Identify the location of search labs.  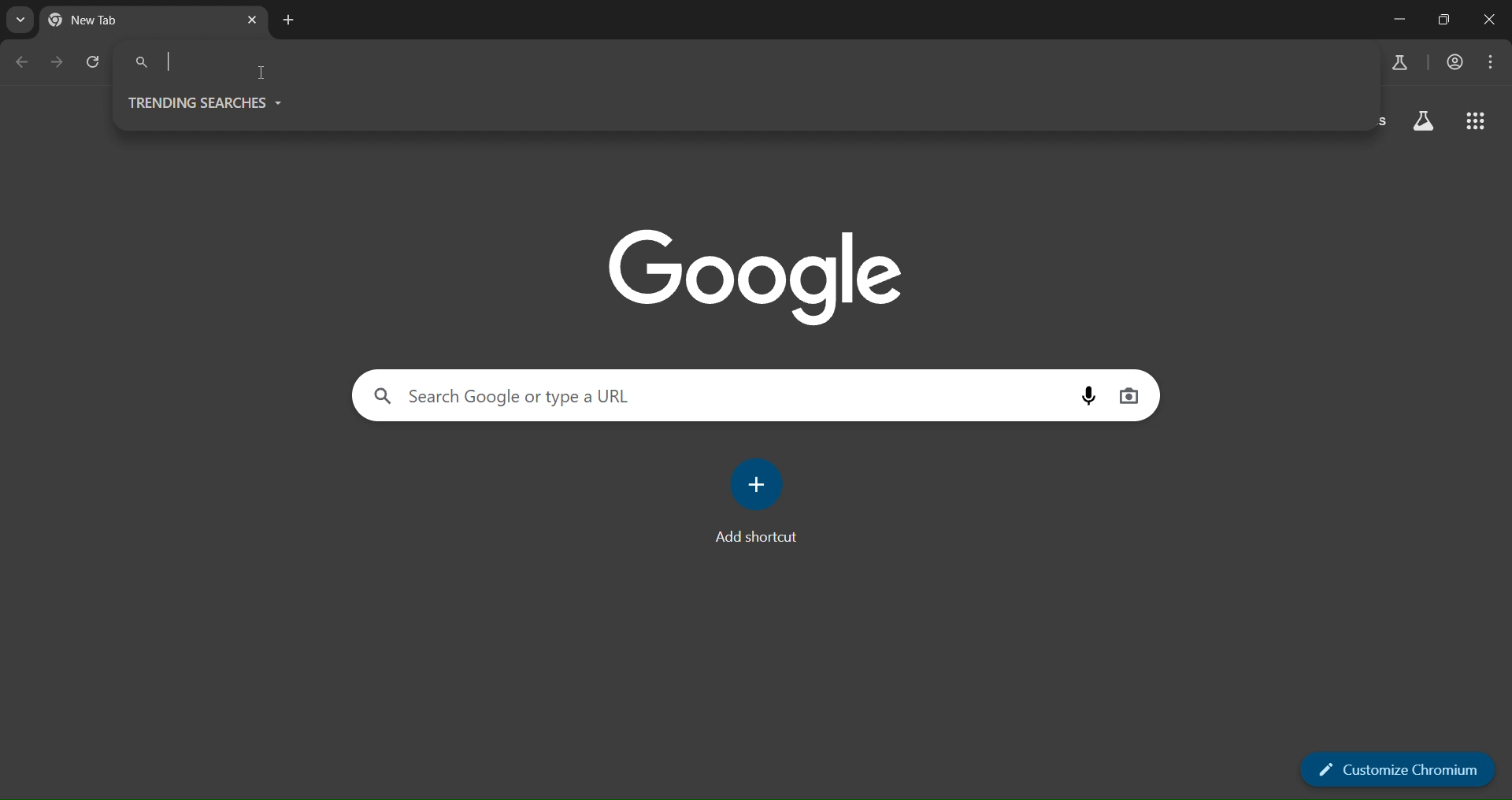
(1422, 122).